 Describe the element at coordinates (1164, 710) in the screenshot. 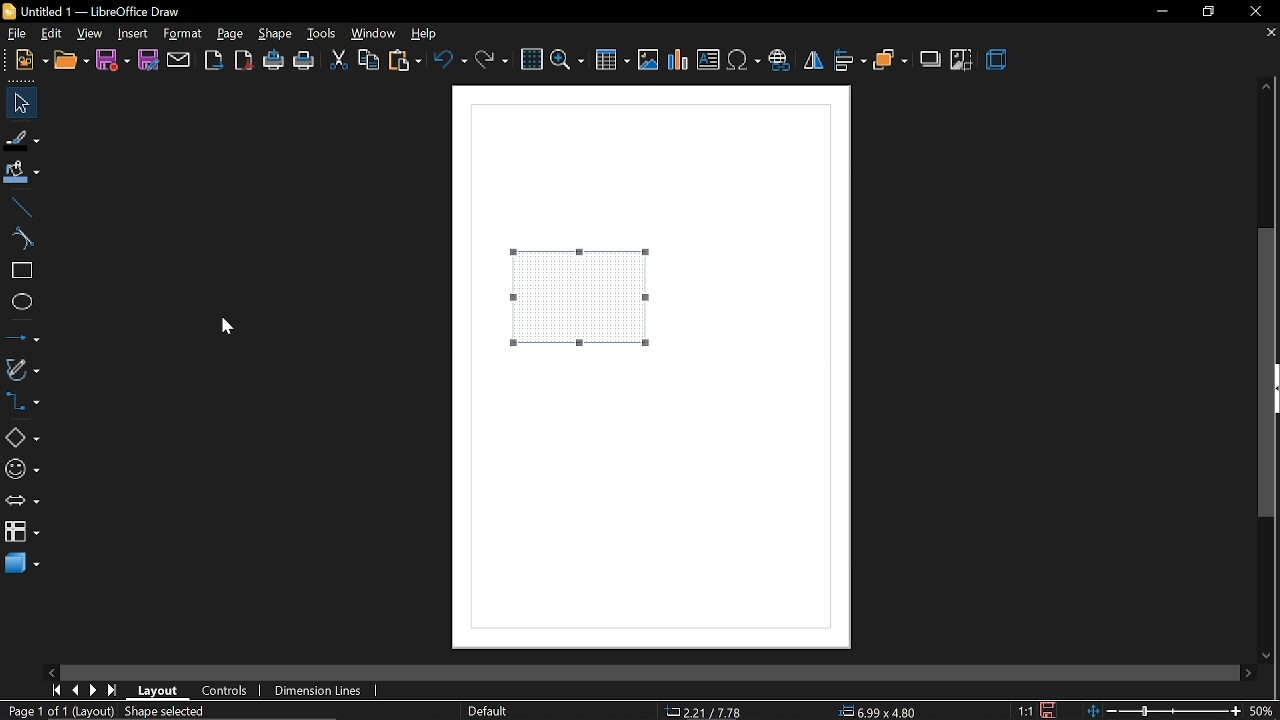

I see `change zoom` at that location.